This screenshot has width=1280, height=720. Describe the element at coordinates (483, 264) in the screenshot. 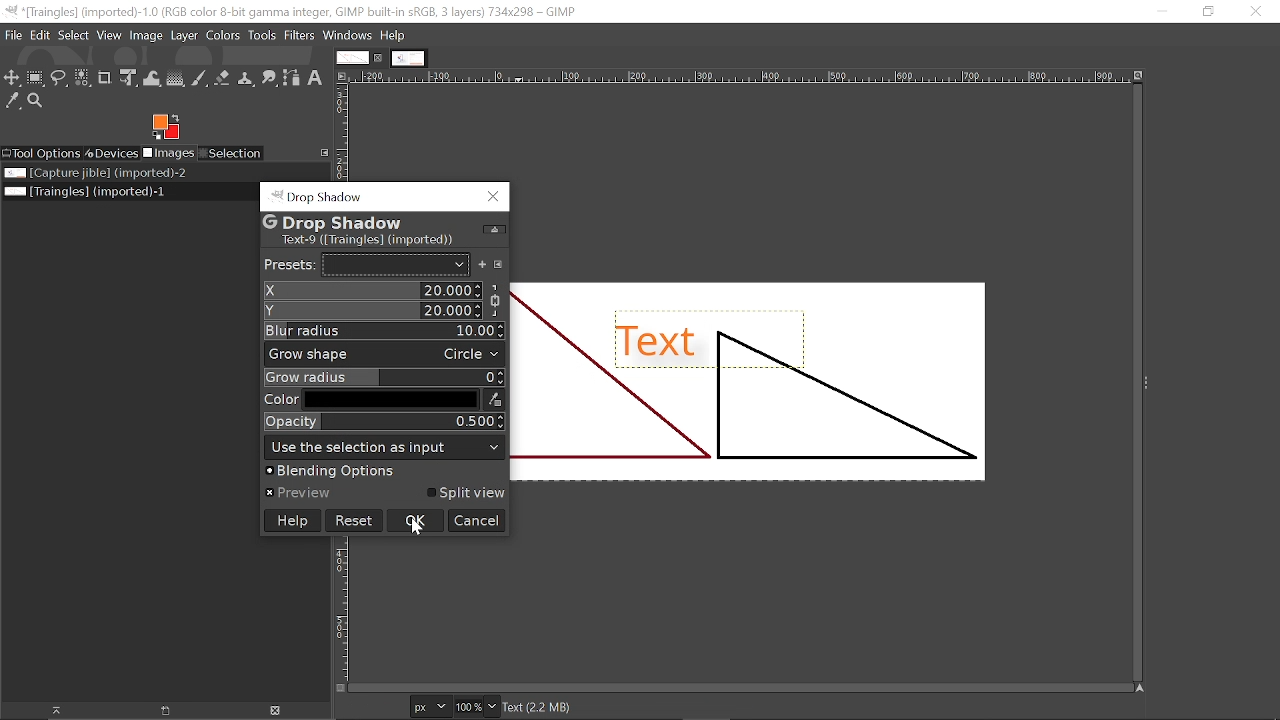

I see `Add preset` at that location.